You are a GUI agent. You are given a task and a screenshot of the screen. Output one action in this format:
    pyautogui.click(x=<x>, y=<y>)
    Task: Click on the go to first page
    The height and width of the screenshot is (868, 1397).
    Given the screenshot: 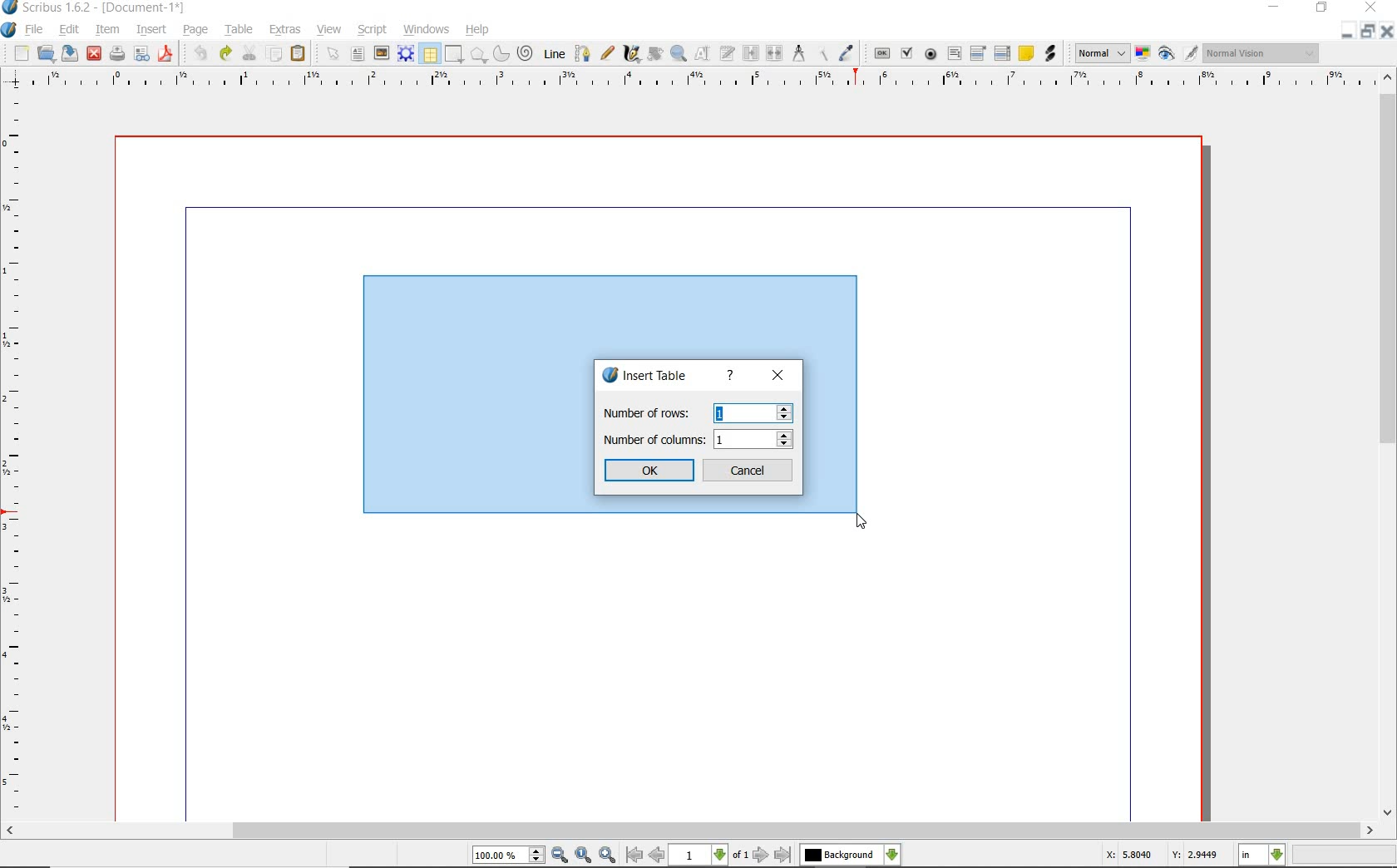 What is the action you would take?
    pyautogui.click(x=634, y=856)
    